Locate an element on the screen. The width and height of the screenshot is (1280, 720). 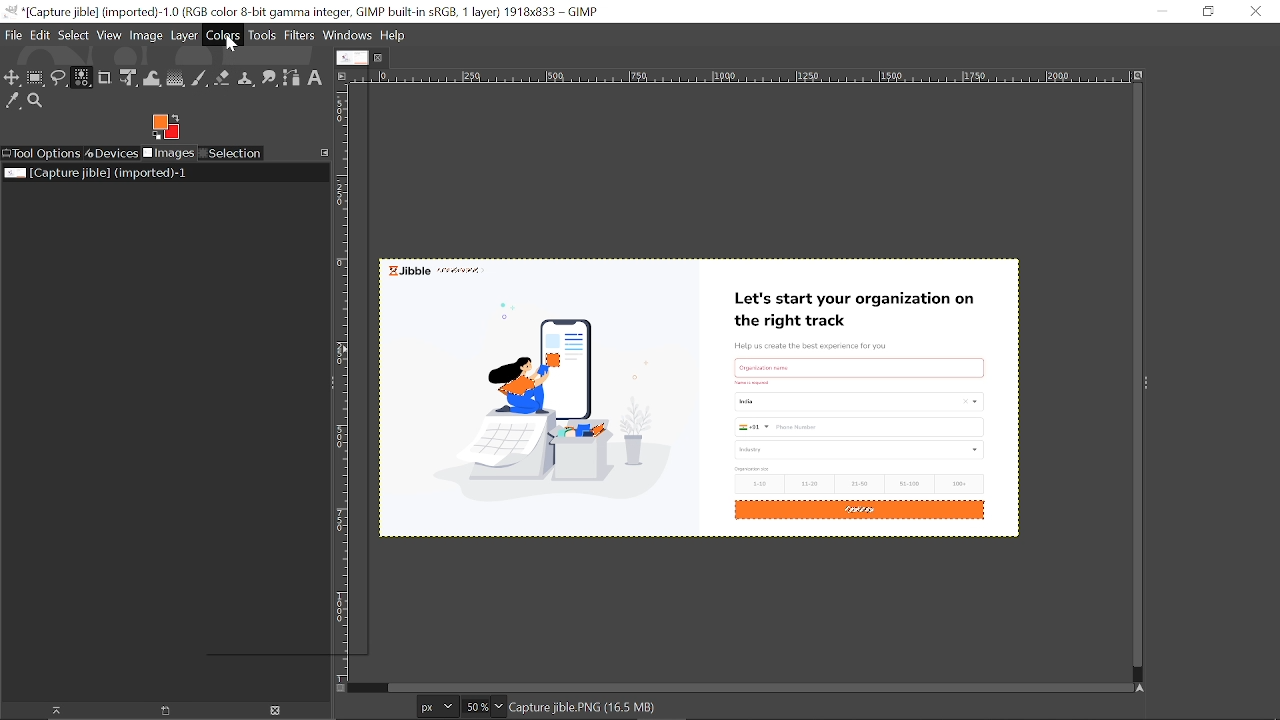
Text tool is located at coordinates (314, 78).